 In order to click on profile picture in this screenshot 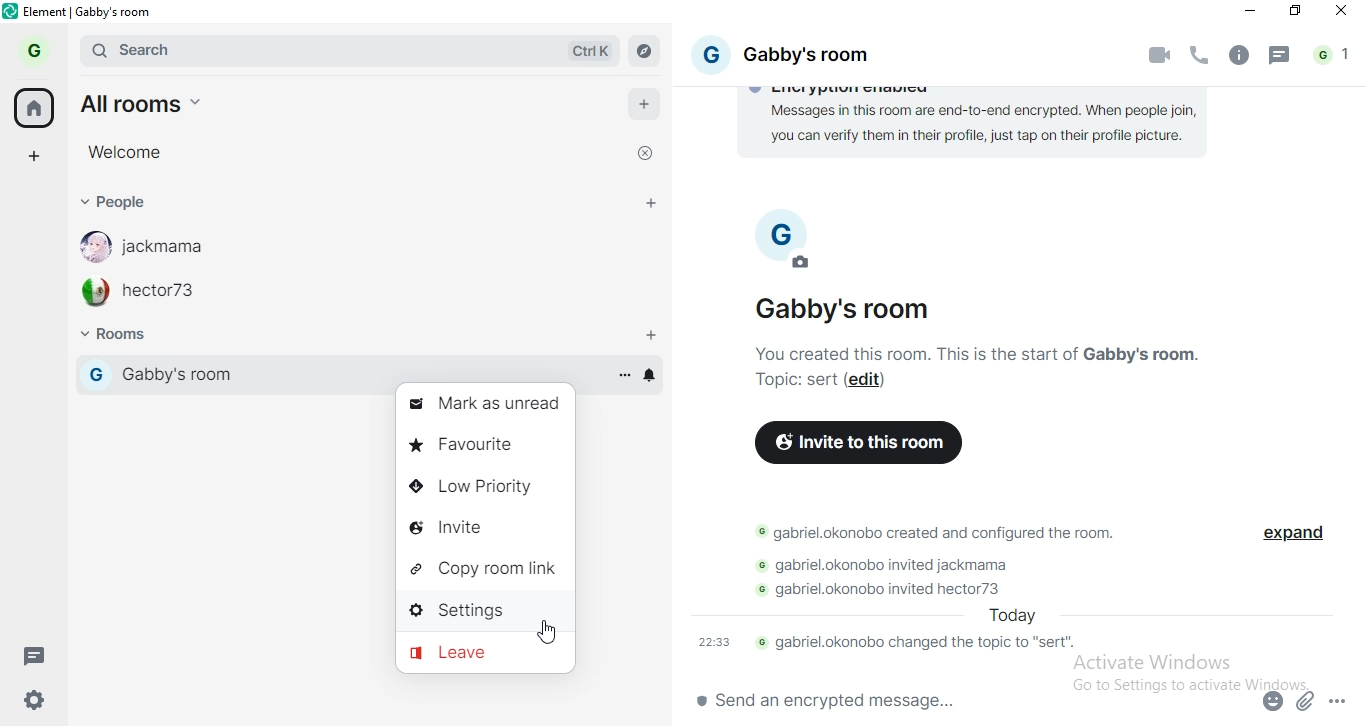, I will do `click(776, 219)`.